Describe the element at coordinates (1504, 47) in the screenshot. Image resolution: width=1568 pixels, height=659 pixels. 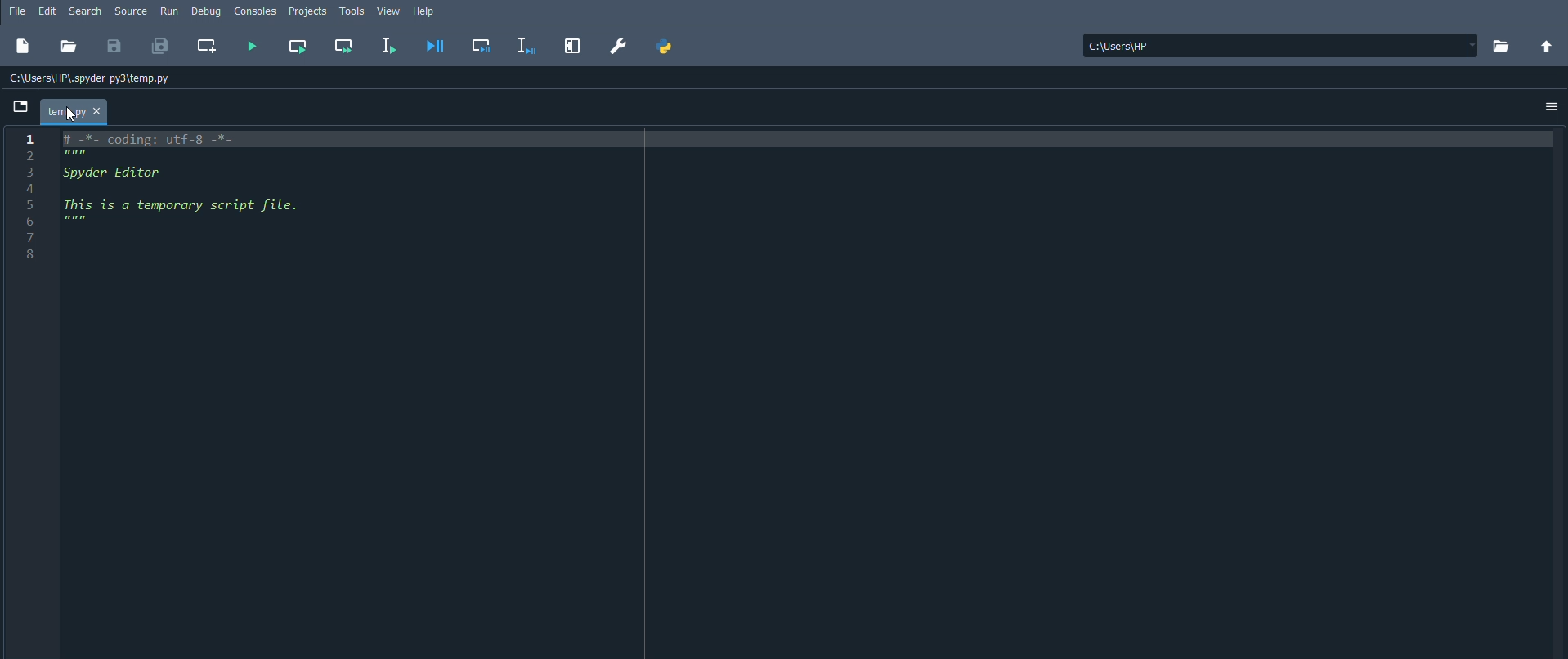
I see `Browse a working directory` at that location.